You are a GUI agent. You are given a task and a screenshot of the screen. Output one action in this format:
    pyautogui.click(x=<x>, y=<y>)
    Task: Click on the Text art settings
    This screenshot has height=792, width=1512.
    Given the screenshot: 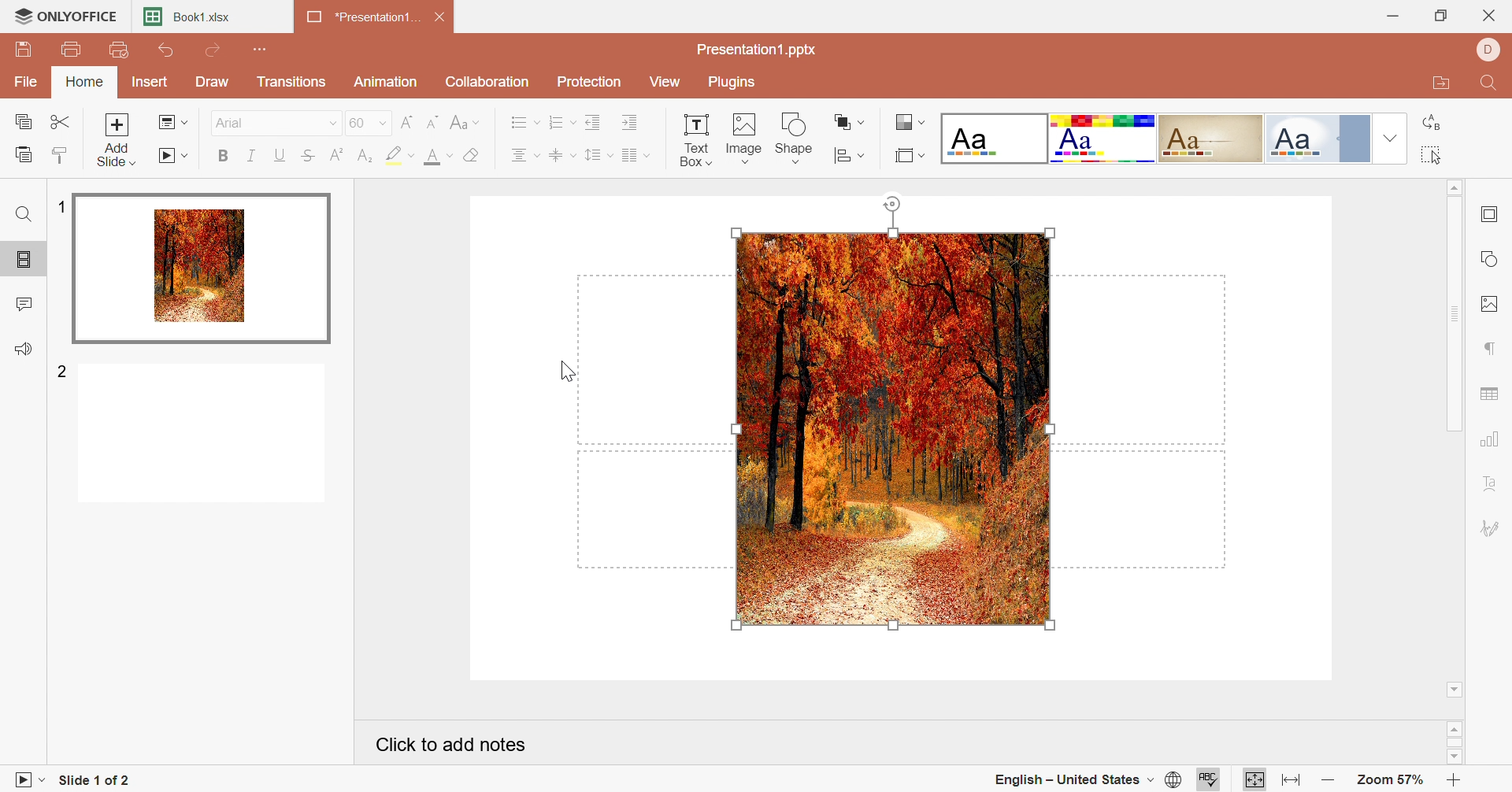 What is the action you would take?
    pyautogui.click(x=1493, y=483)
    